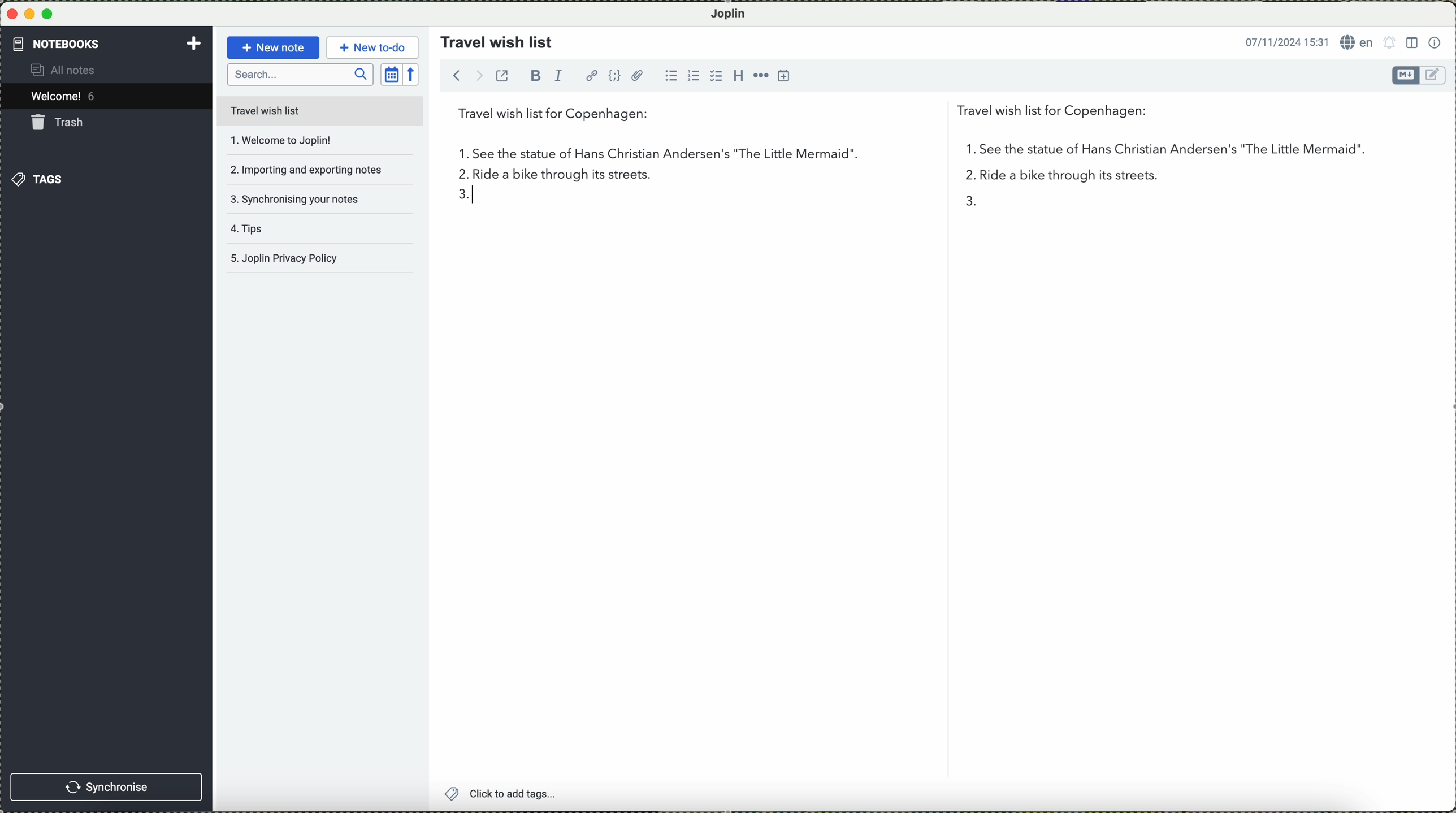 The image size is (1456, 813). I want to click on date and hour, so click(1283, 41).